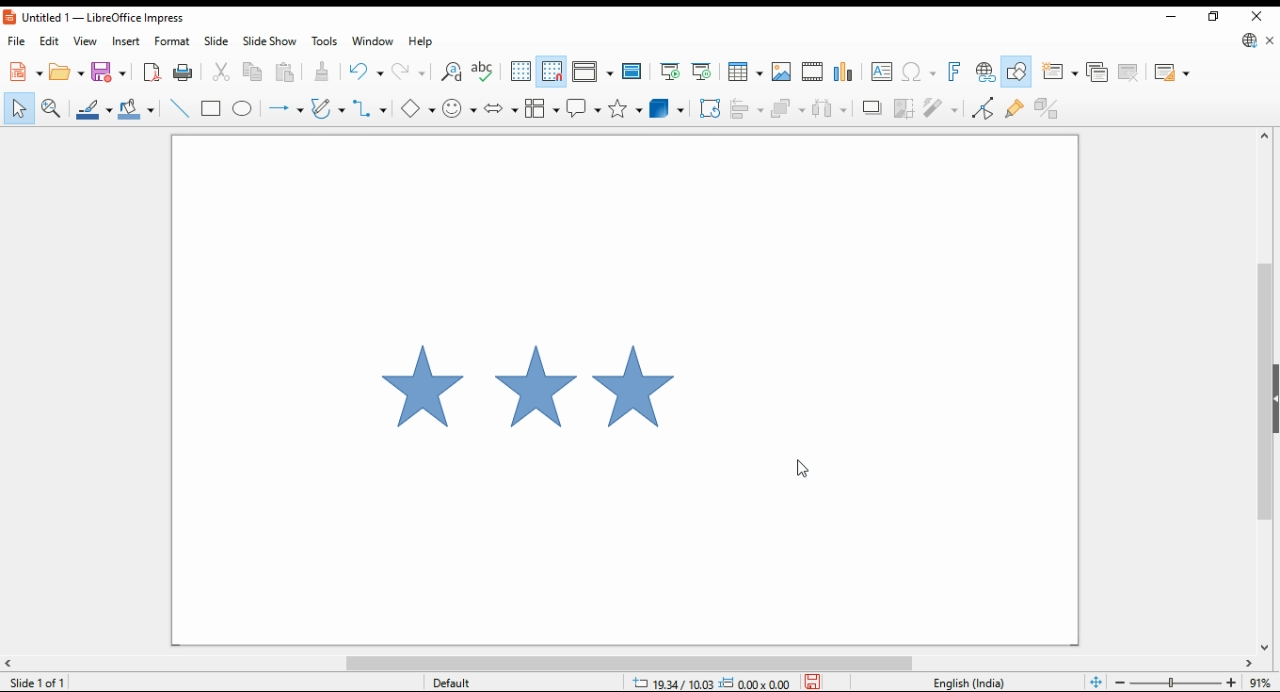 The image size is (1280, 692). What do you see at coordinates (594, 72) in the screenshot?
I see `display view` at bounding box center [594, 72].